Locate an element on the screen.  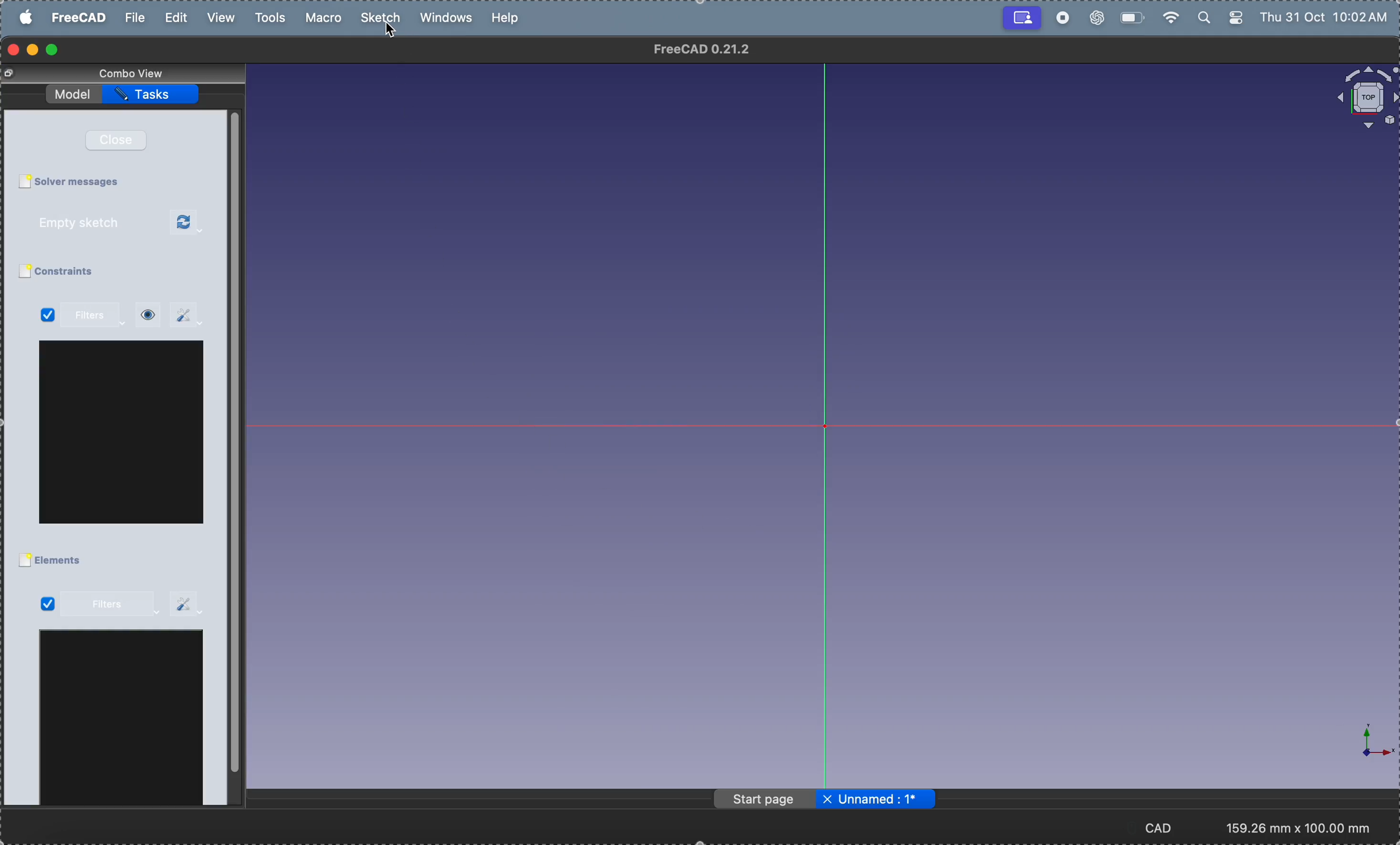
task is located at coordinates (153, 94).